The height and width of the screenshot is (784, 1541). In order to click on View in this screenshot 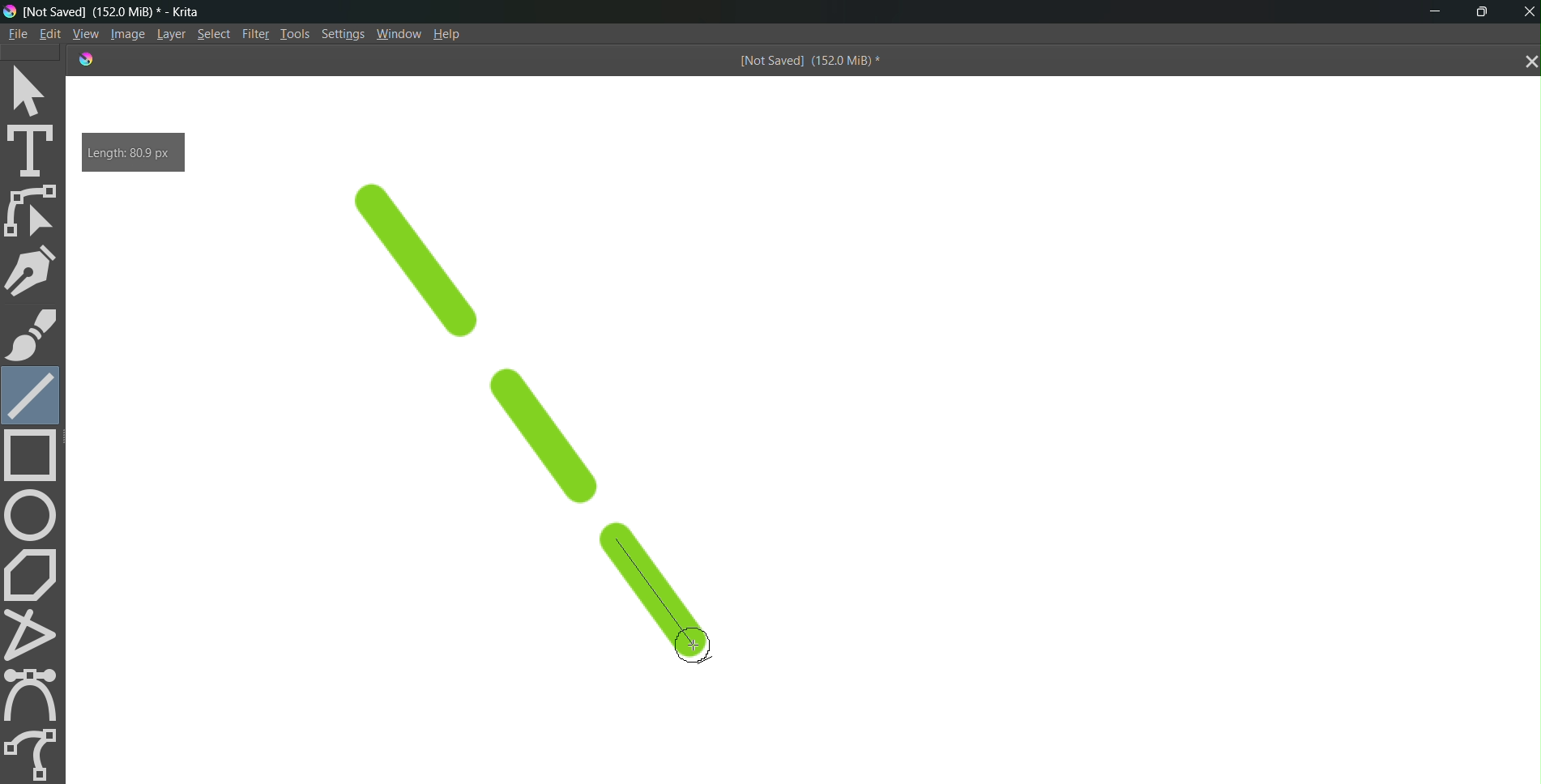, I will do `click(83, 33)`.